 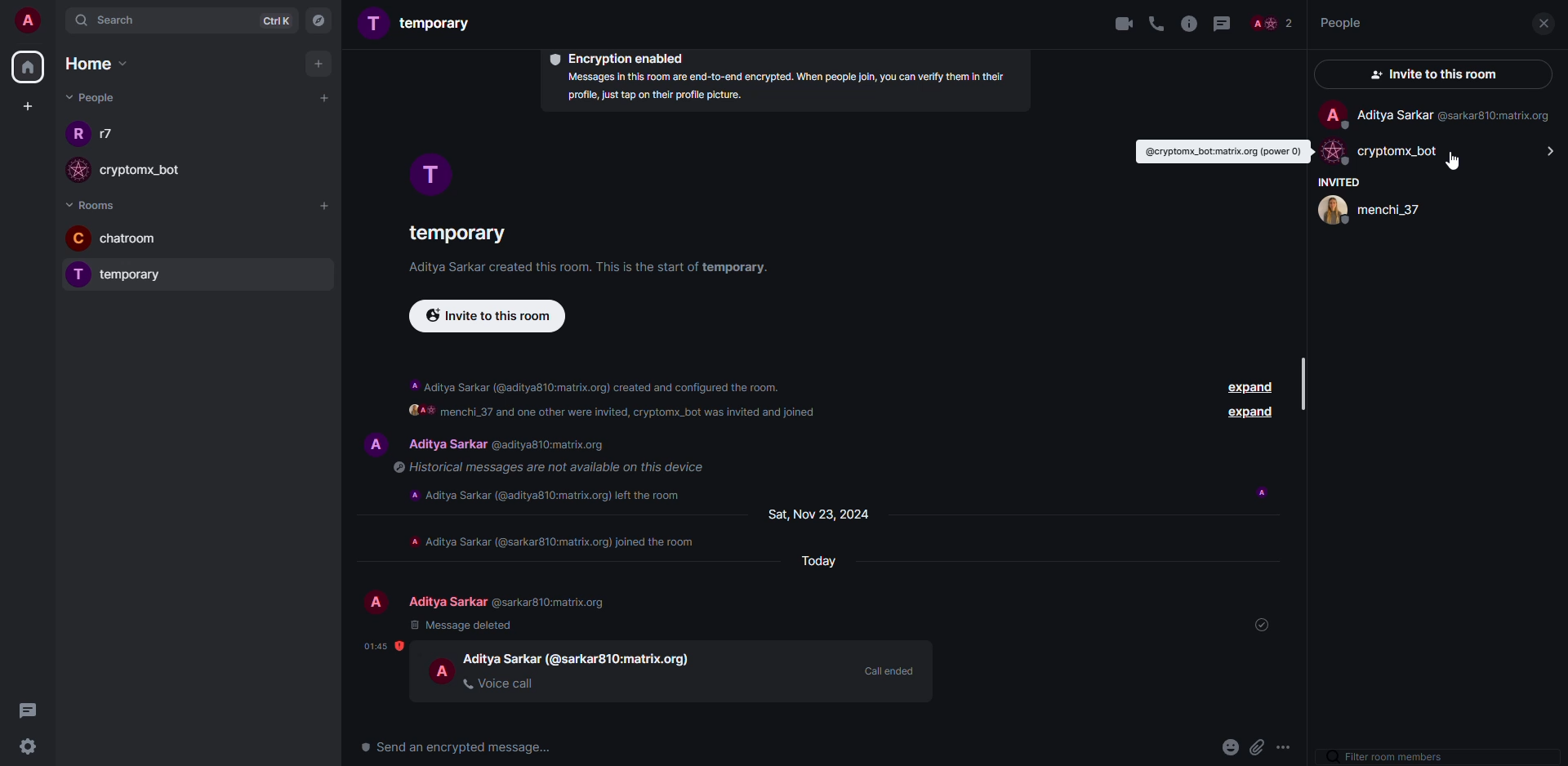 What do you see at coordinates (29, 22) in the screenshot?
I see `account` at bounding box center [29, 22].